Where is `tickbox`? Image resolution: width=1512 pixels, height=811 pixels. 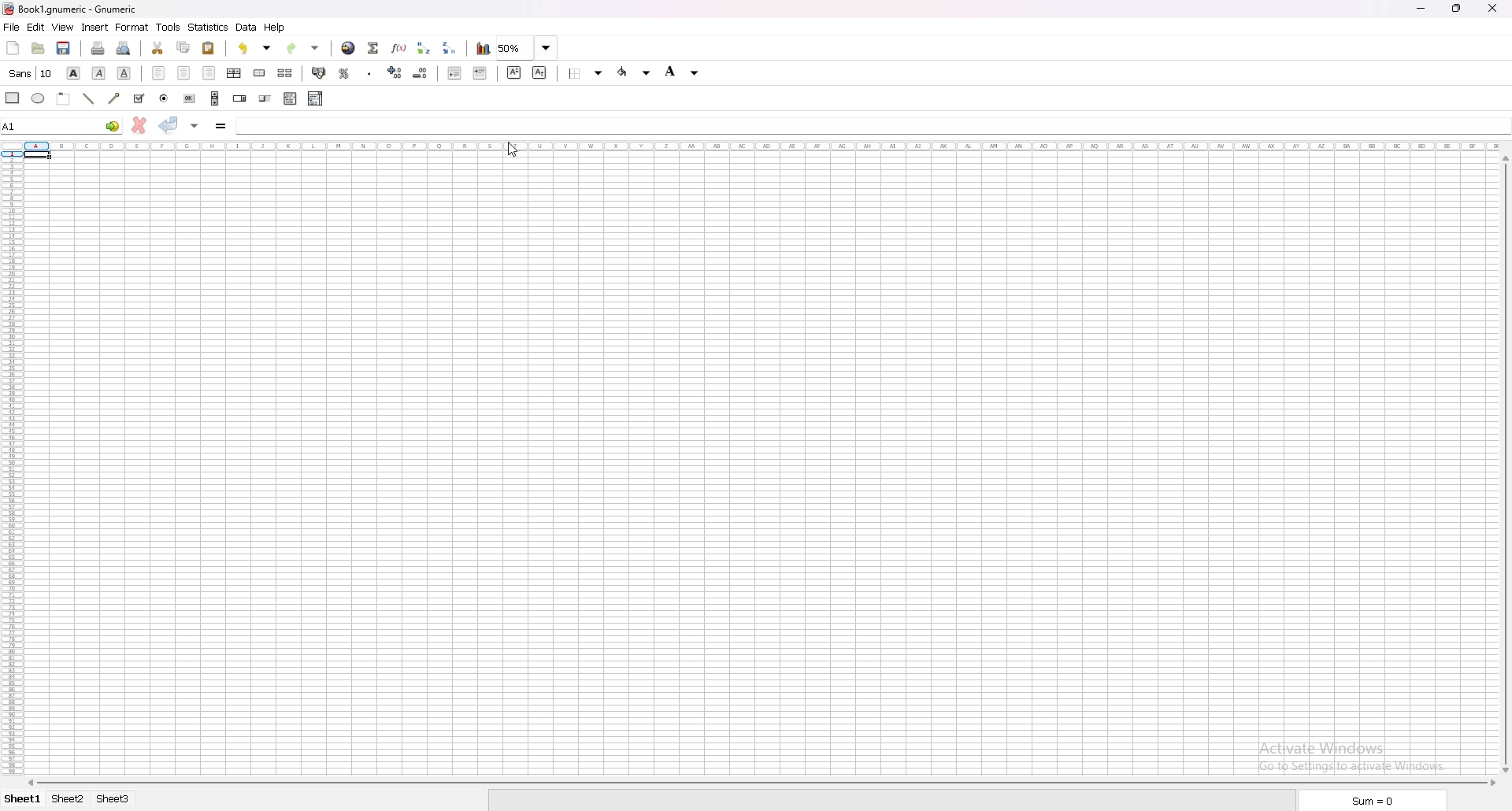 tickbox is located at coordinates (139, 98).